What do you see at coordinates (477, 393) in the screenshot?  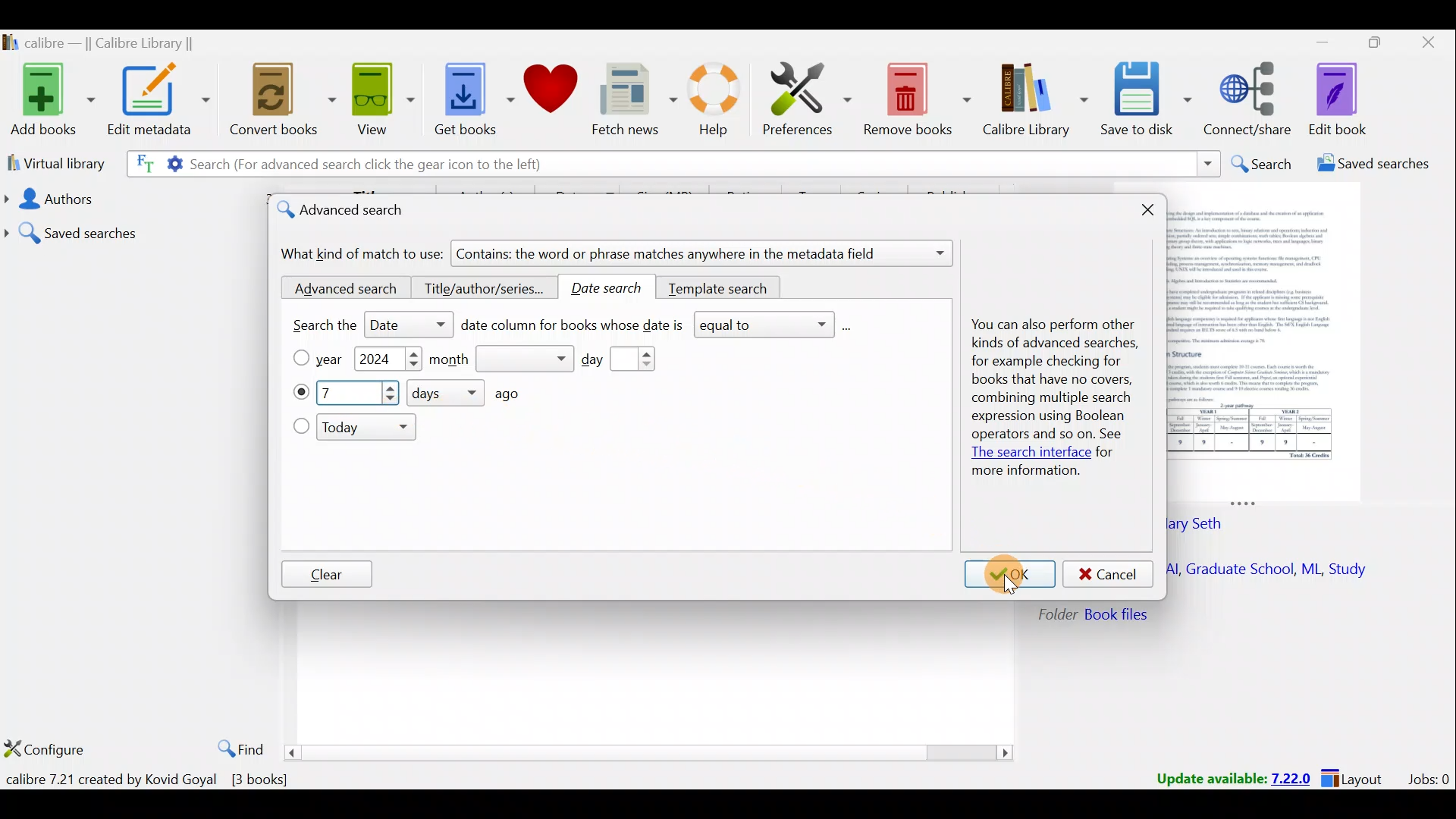 I see `How many days ago?` at bounding box center [477, 393].